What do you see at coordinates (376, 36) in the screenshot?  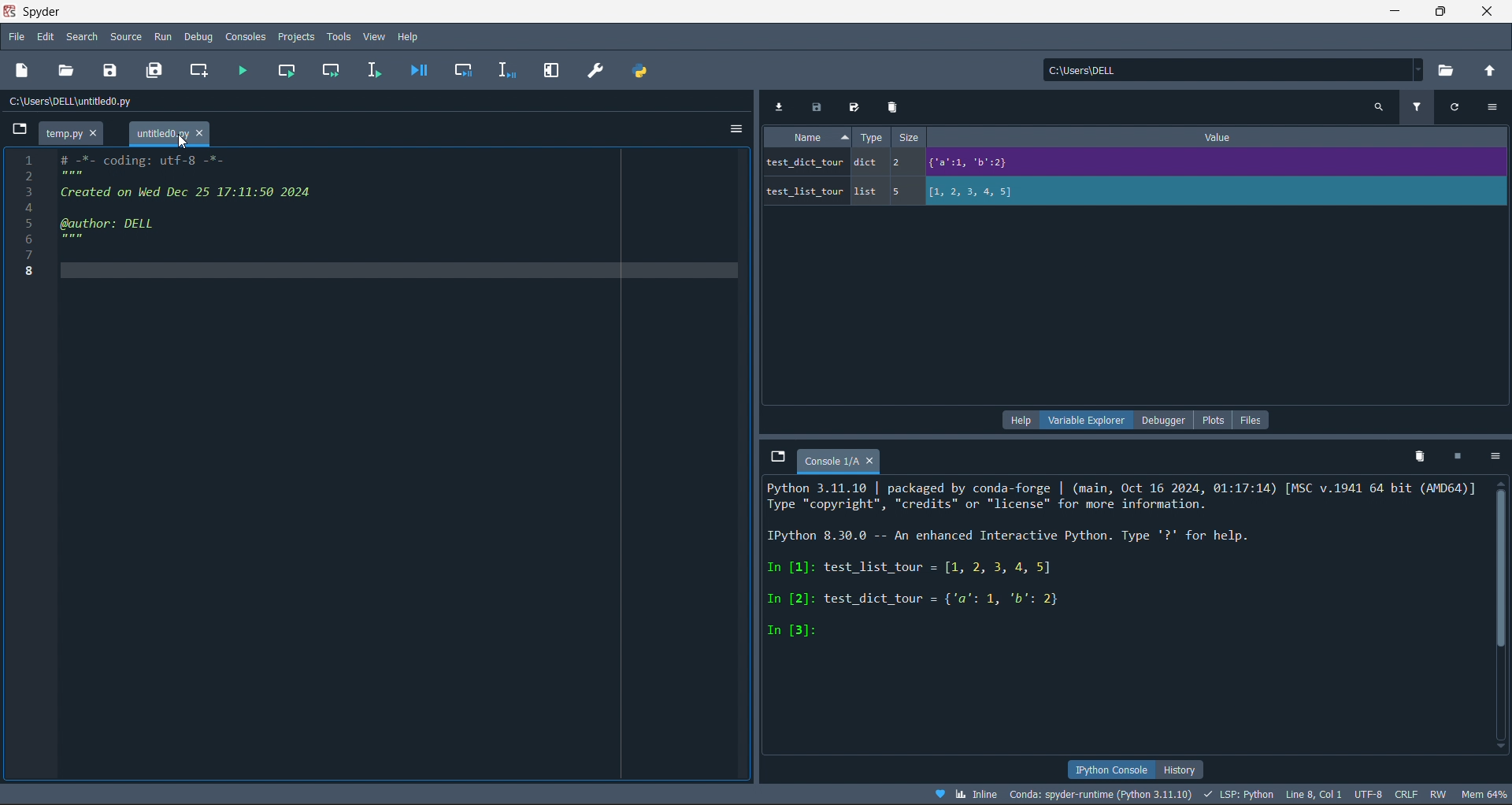 I see `view` at bounding box center [376, 36].